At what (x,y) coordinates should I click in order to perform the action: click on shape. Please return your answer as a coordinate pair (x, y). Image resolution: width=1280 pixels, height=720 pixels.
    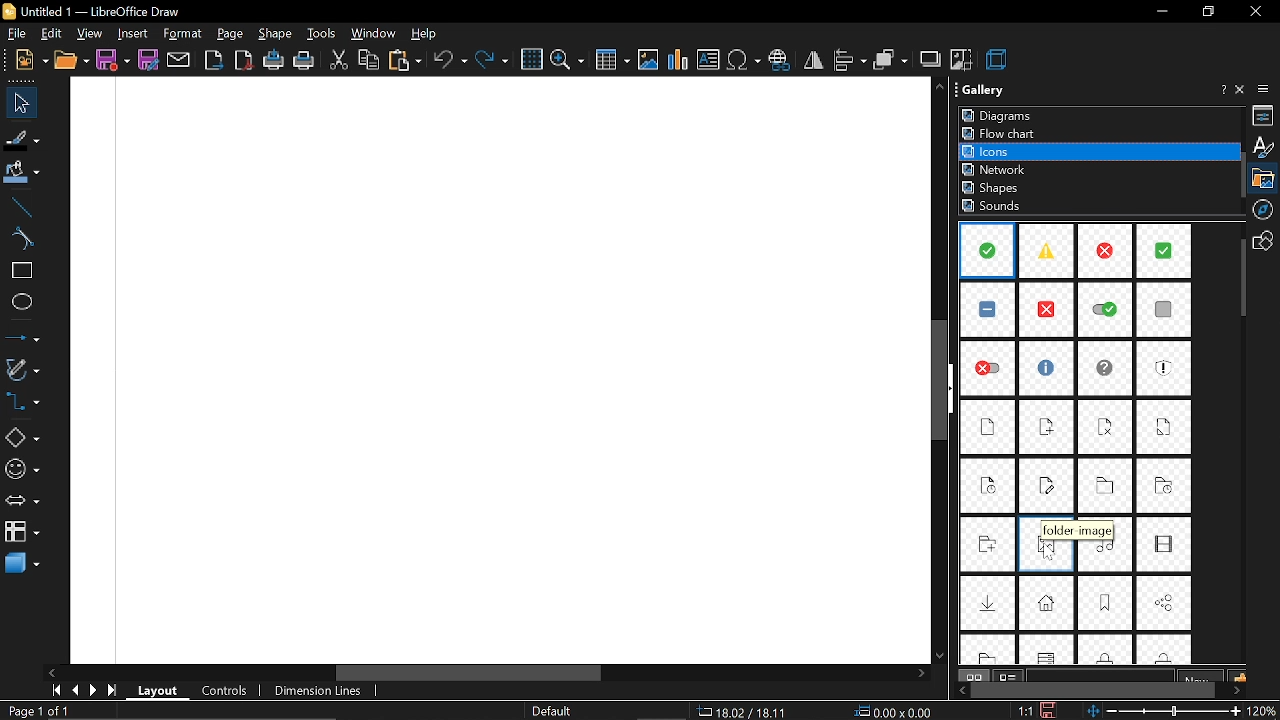
    Looking at the image, I should click on (275, 33).